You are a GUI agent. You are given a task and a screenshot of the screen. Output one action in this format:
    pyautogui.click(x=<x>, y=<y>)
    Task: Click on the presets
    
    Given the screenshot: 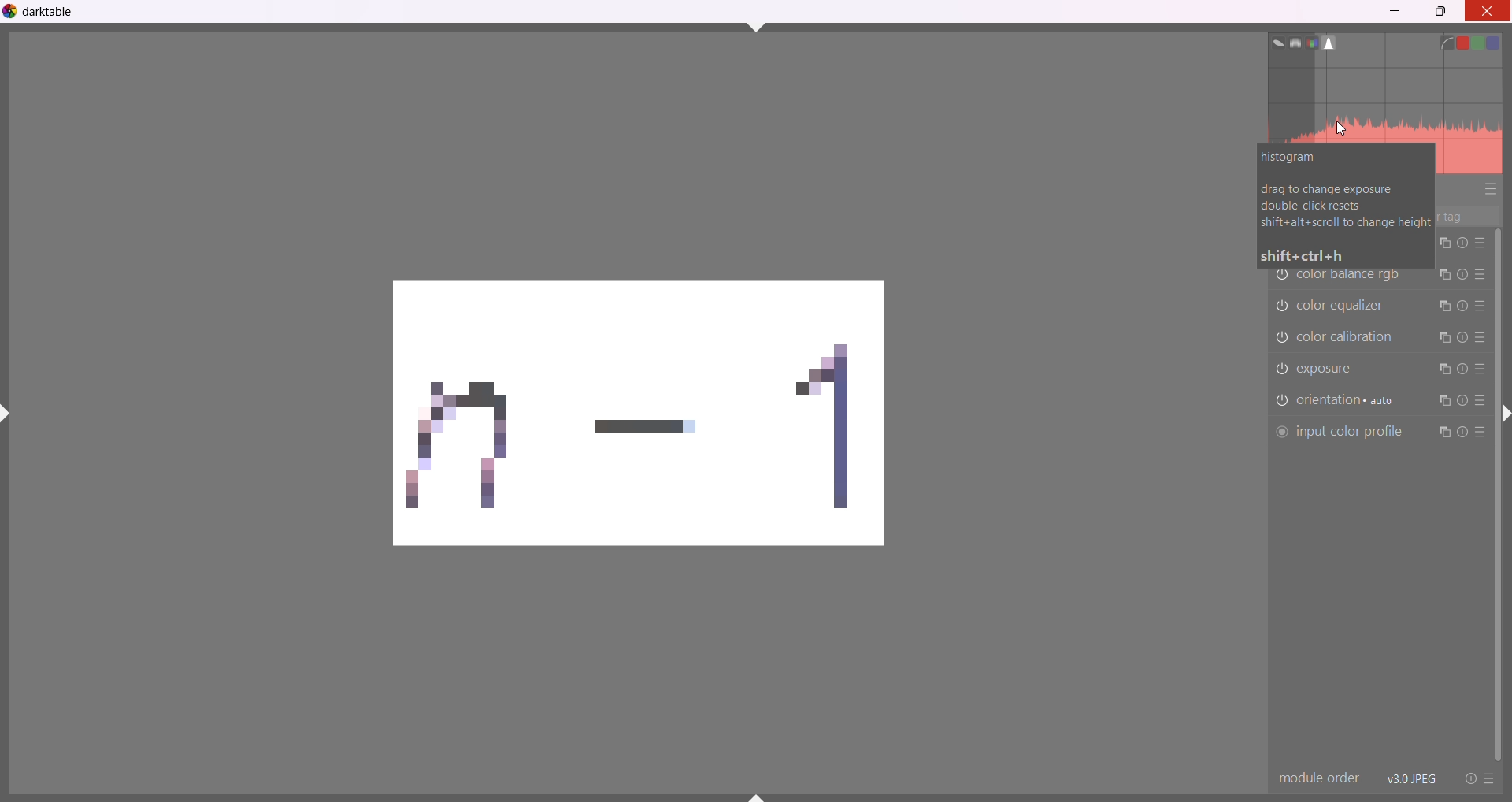 What is the action you would take?
    pyautogui.click(x=1480, y=370)
    